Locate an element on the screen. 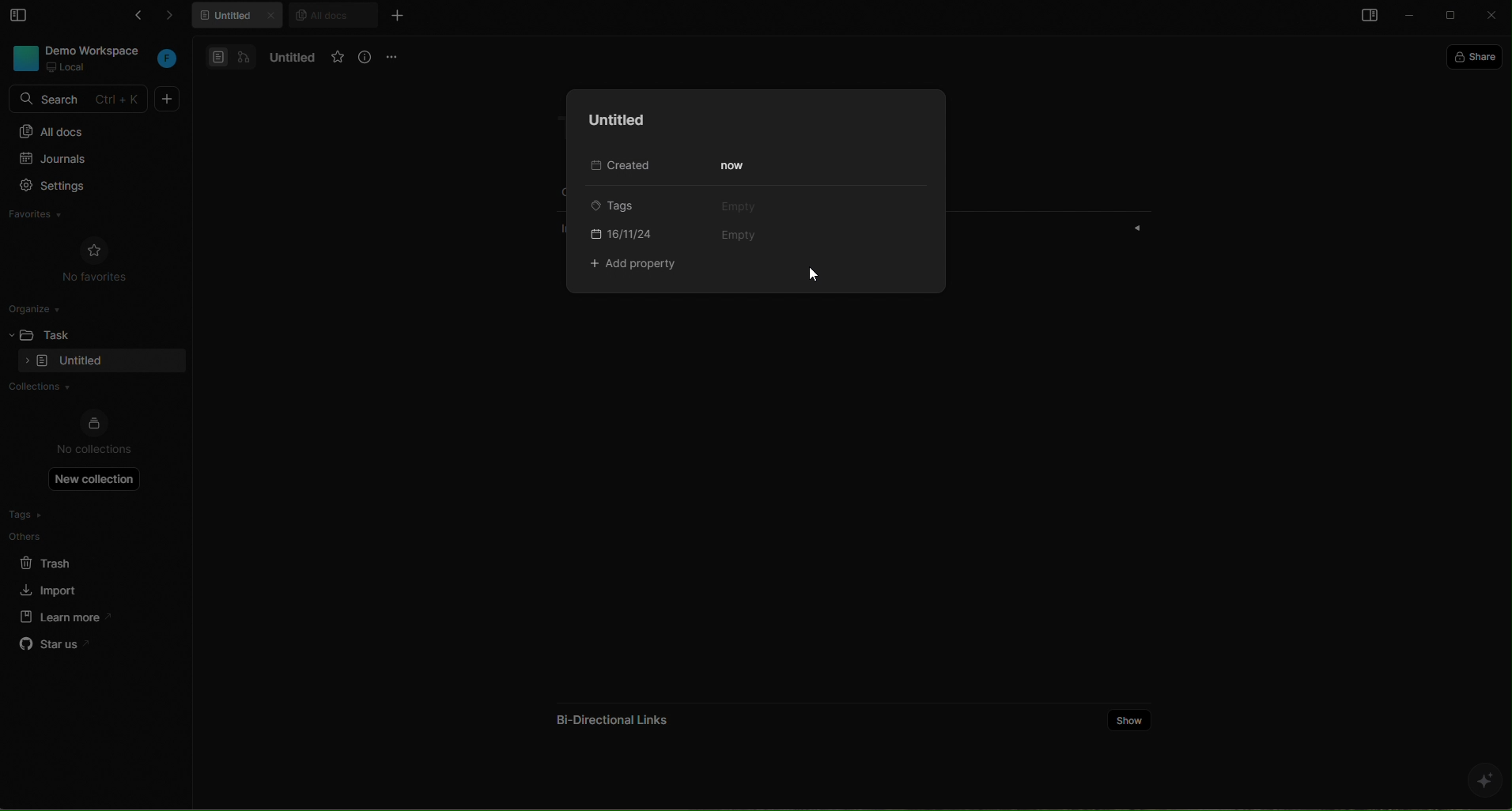 This screenshot has width=1512, height=811. new tab is located at coordinates (396, 15).